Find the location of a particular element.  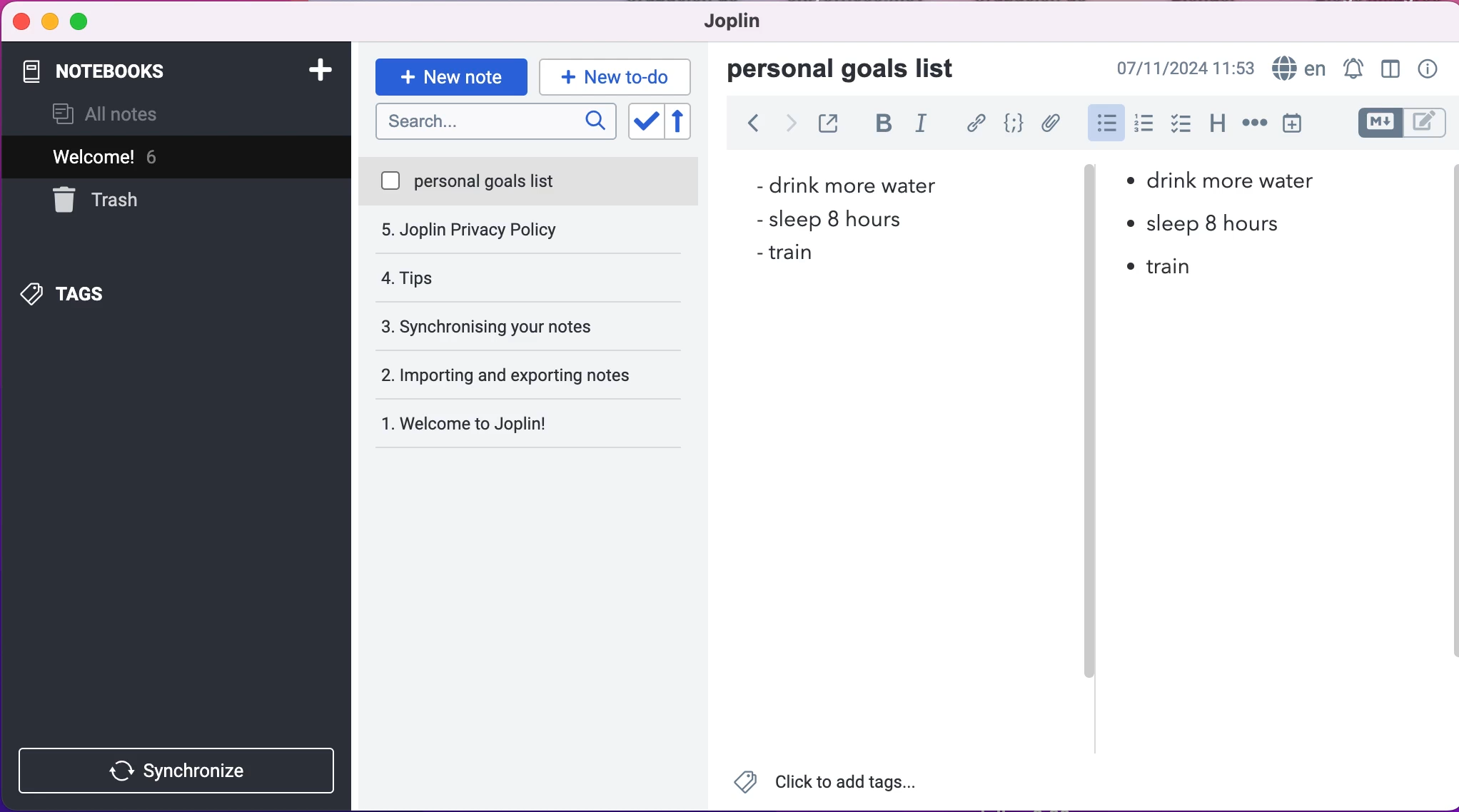

horizontal rule is located at coordinates (1252, 128).